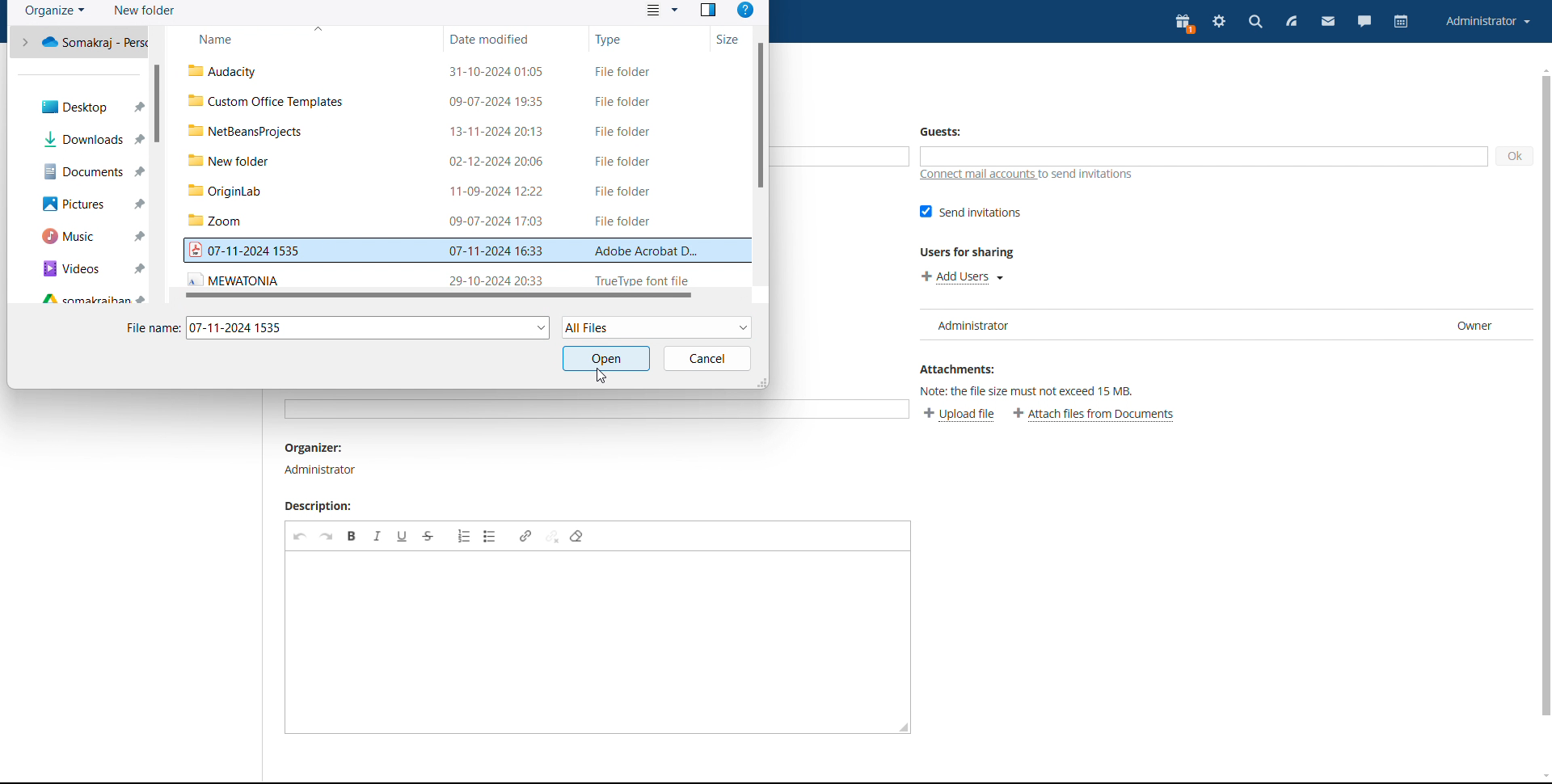 The width and height of the screenshot is (1552, 784). Describe the element at coordinates (456, 133) in the screenshot. I see `` at that location.